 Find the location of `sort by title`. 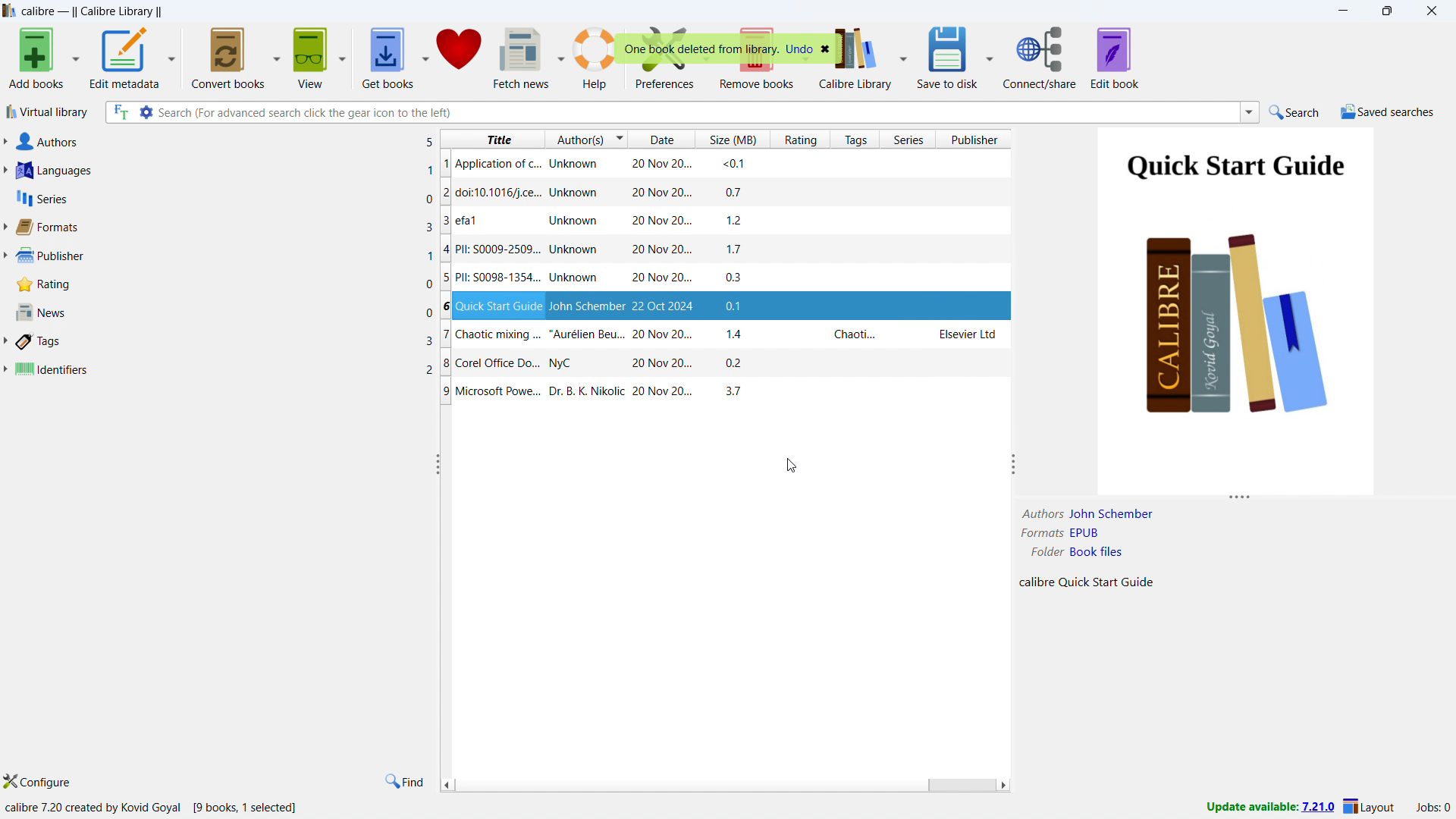

sort by title is located at coordinates (496, 138).